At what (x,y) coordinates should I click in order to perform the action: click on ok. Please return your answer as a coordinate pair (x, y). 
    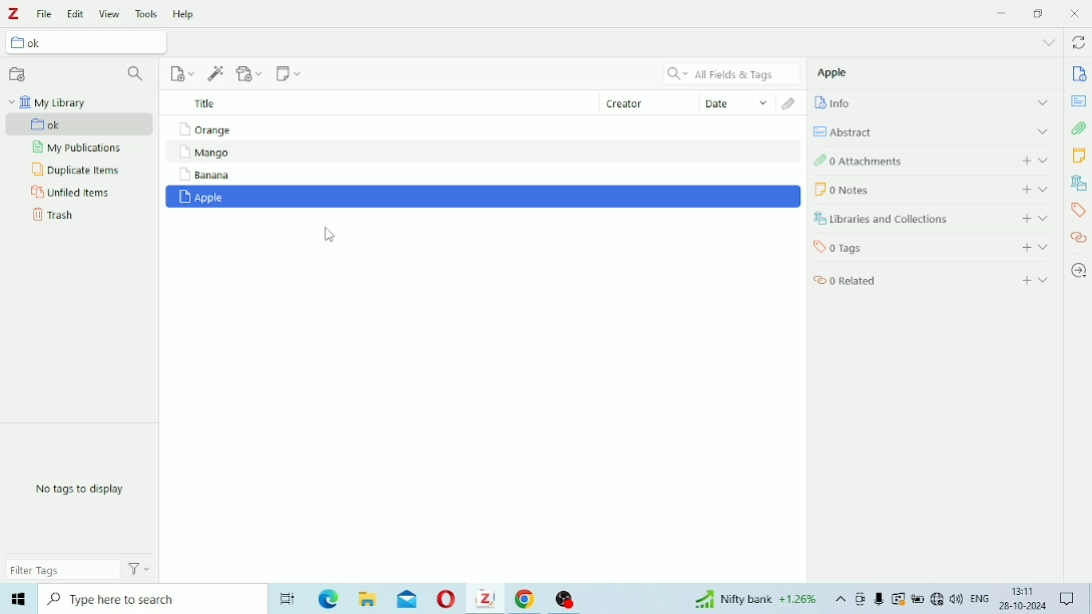
    Looking at the image, I should click on (46, 44).